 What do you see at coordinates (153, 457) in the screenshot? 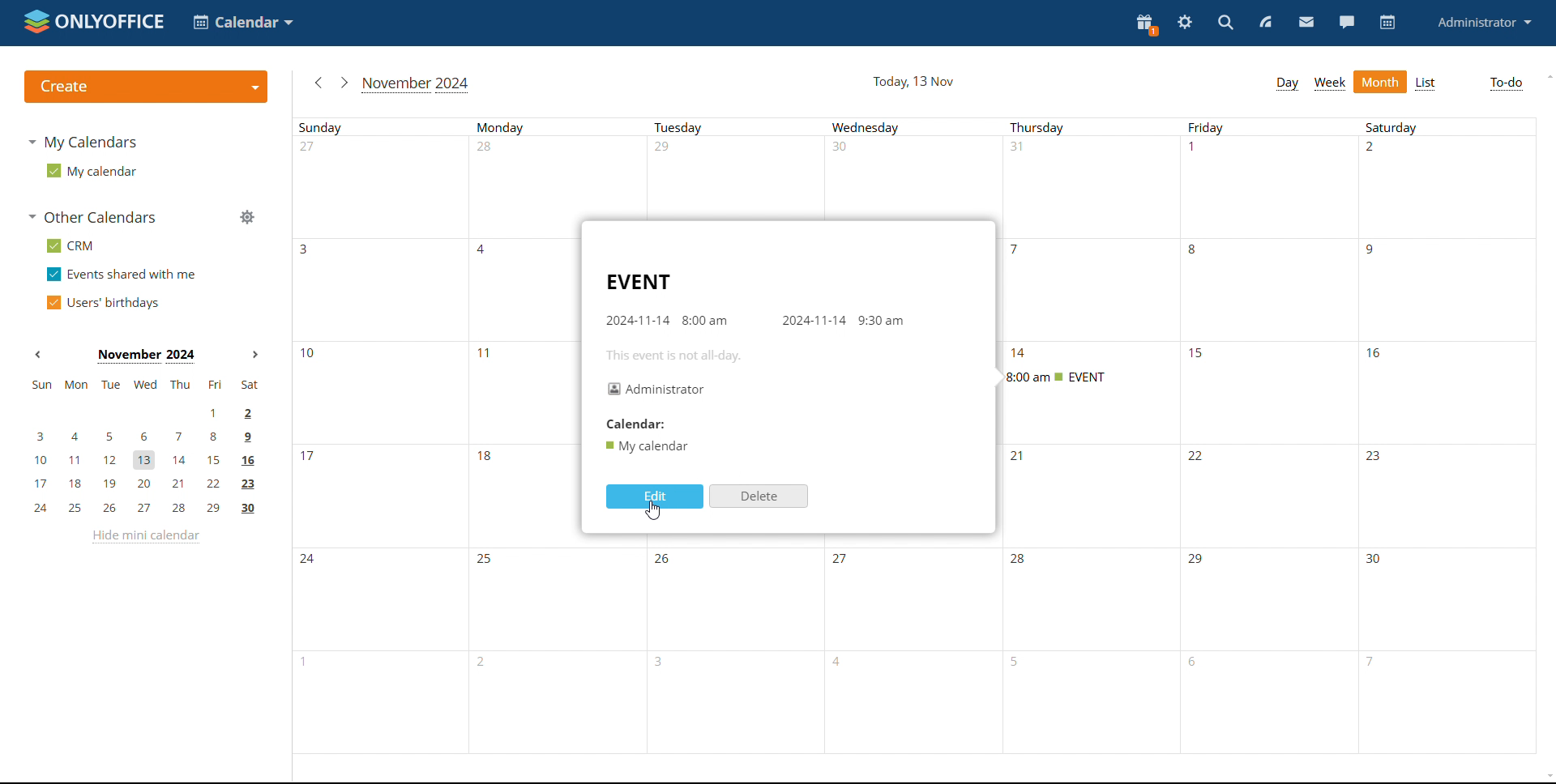
I see `10, 11, 12, 13, 14, 15, 16` at bounding box center [153, 457].